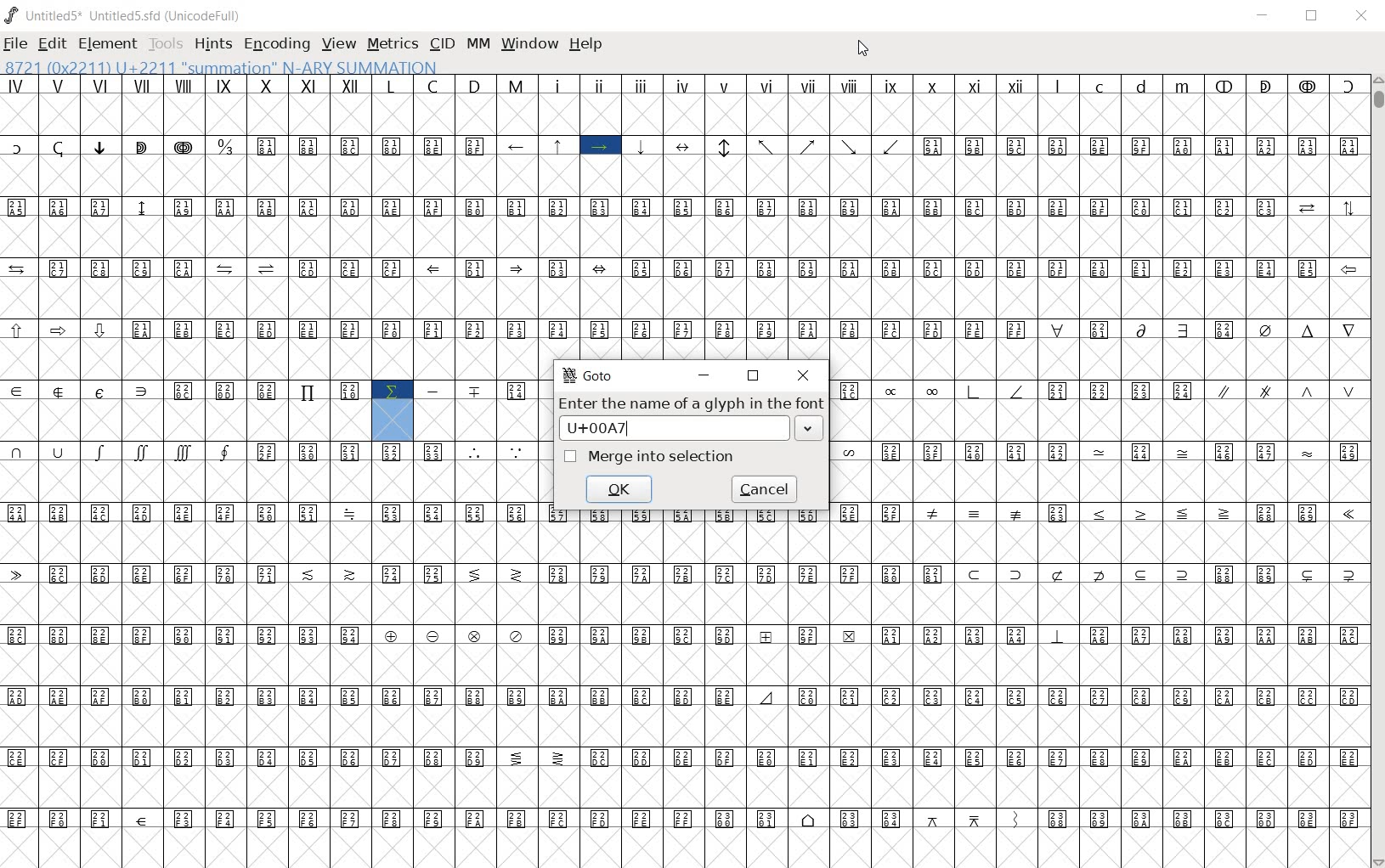 This screenshot has height=868, width=1385. What do you see at coordinates (1100, 389) in the screenshot?
I see `` at bounding box center [1100, 389].